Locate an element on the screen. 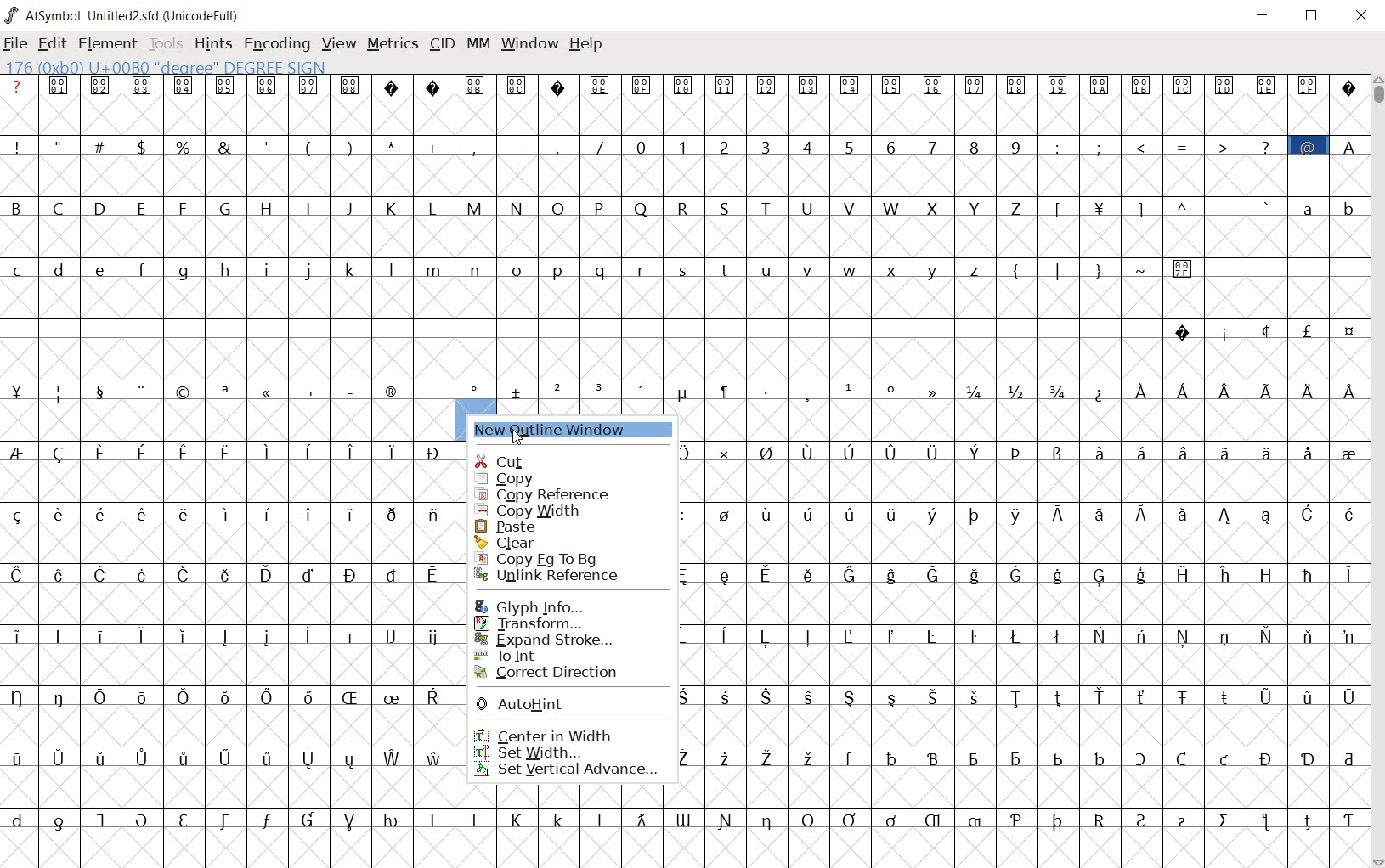 This screenshot has height=868, width=1385. unsupported character is located at coordinates (559, 84).